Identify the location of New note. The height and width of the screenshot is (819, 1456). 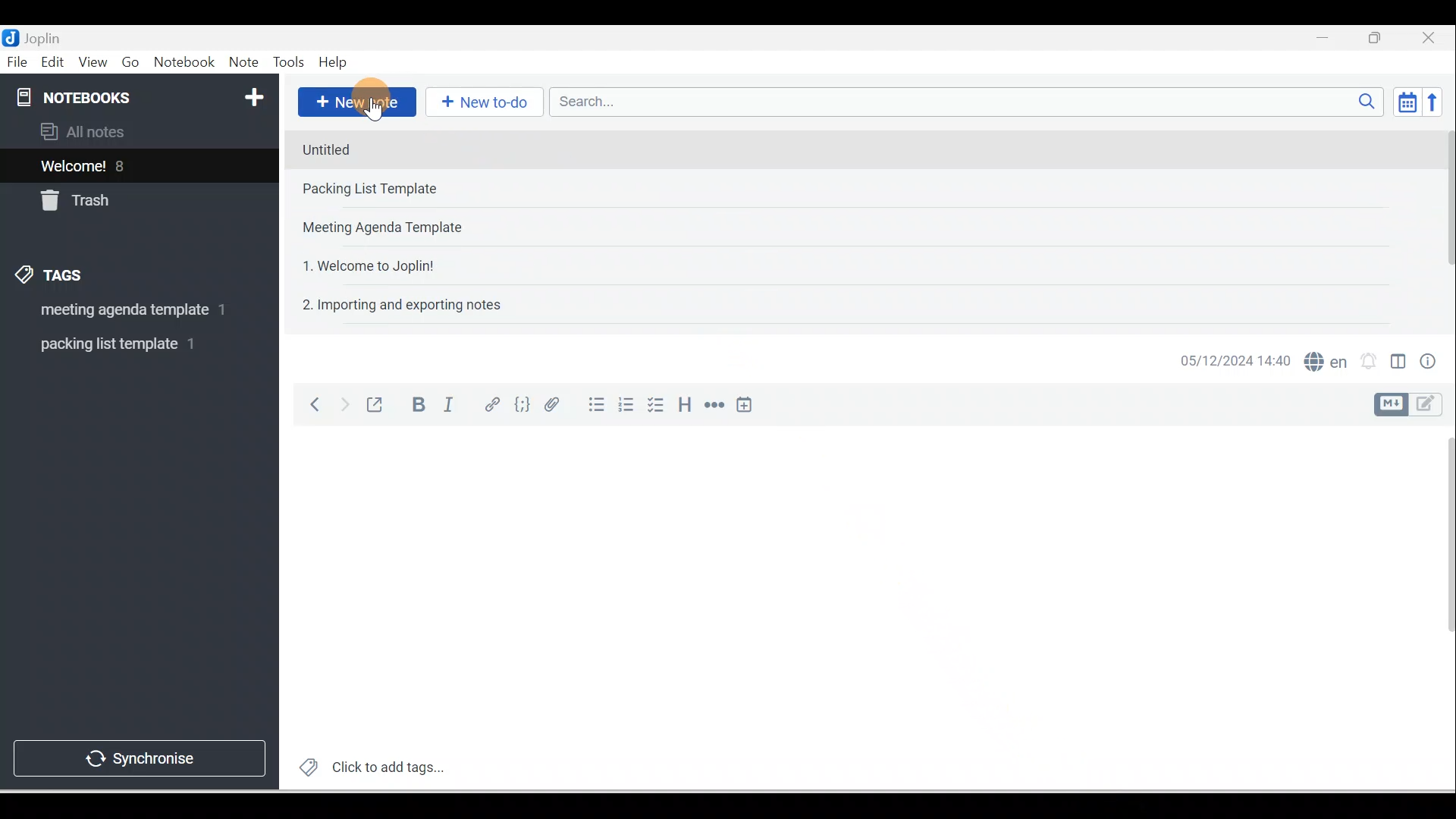
(354, 103).